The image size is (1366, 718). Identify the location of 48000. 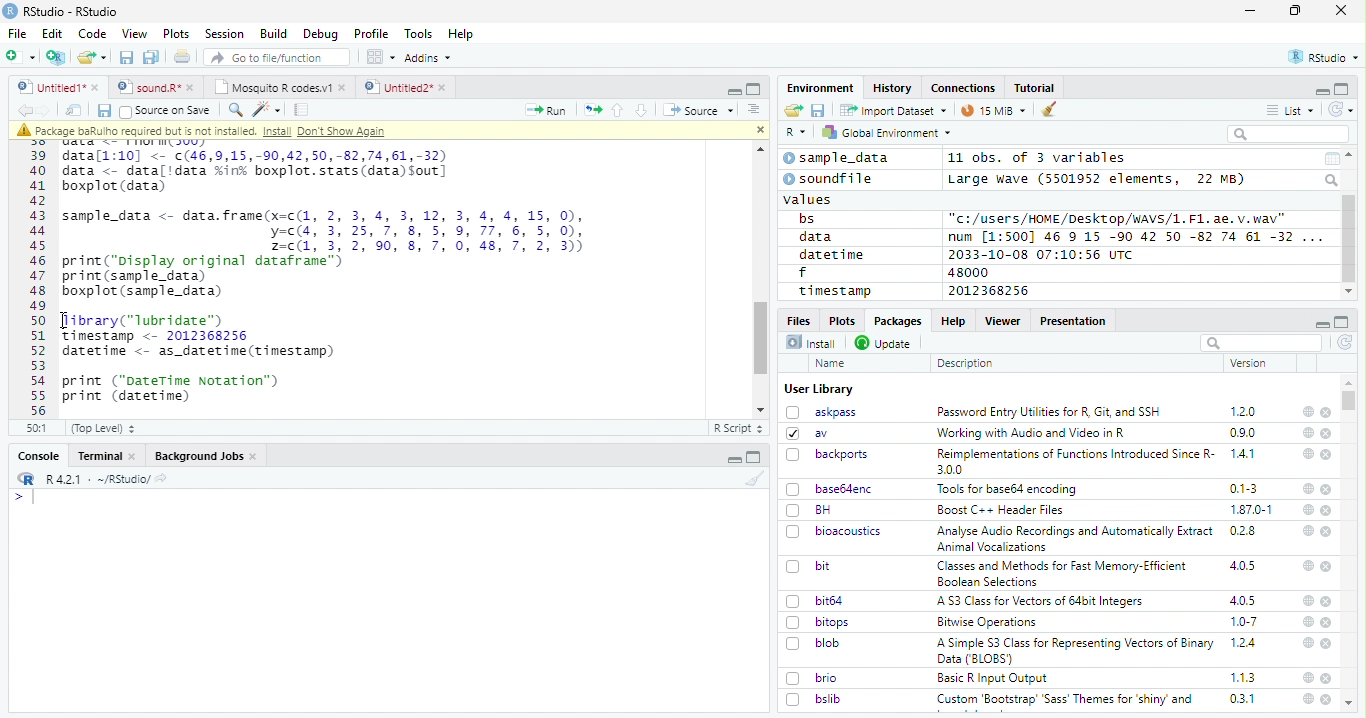
(966, 272).